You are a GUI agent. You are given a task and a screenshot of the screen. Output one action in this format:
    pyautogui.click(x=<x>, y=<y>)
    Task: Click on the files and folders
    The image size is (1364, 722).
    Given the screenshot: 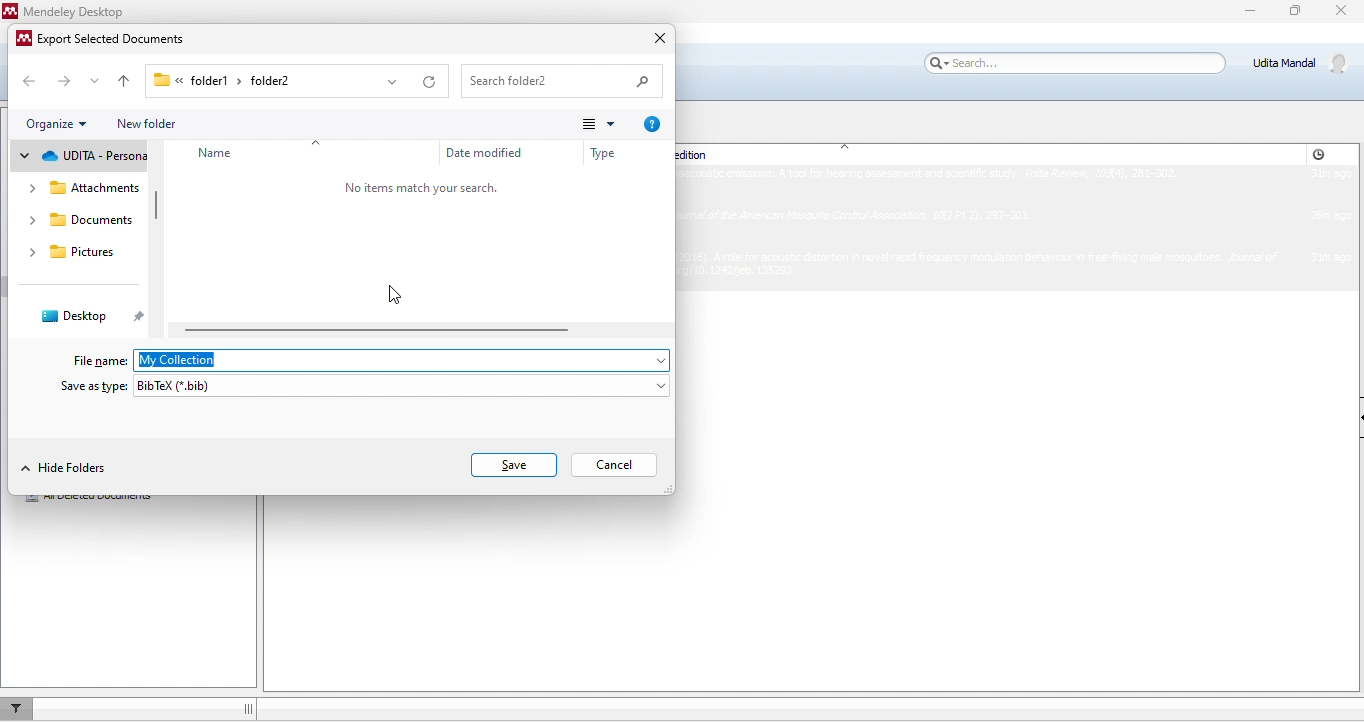 What is the action you would take?
    pyautogui.click(x=82, y=187)
    